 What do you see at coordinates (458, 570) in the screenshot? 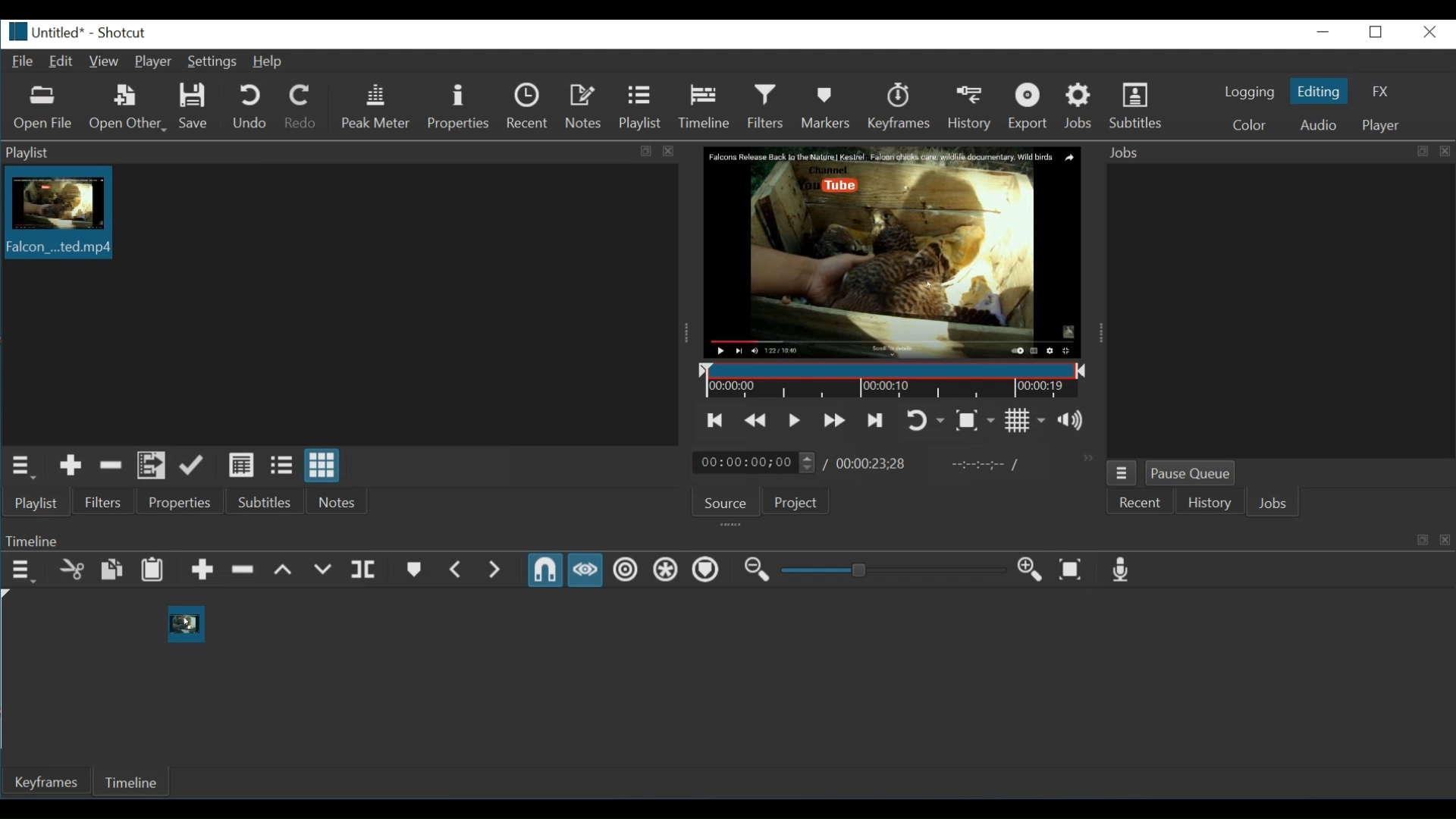
I see `Previous marker` at bounding box center [458, 570].